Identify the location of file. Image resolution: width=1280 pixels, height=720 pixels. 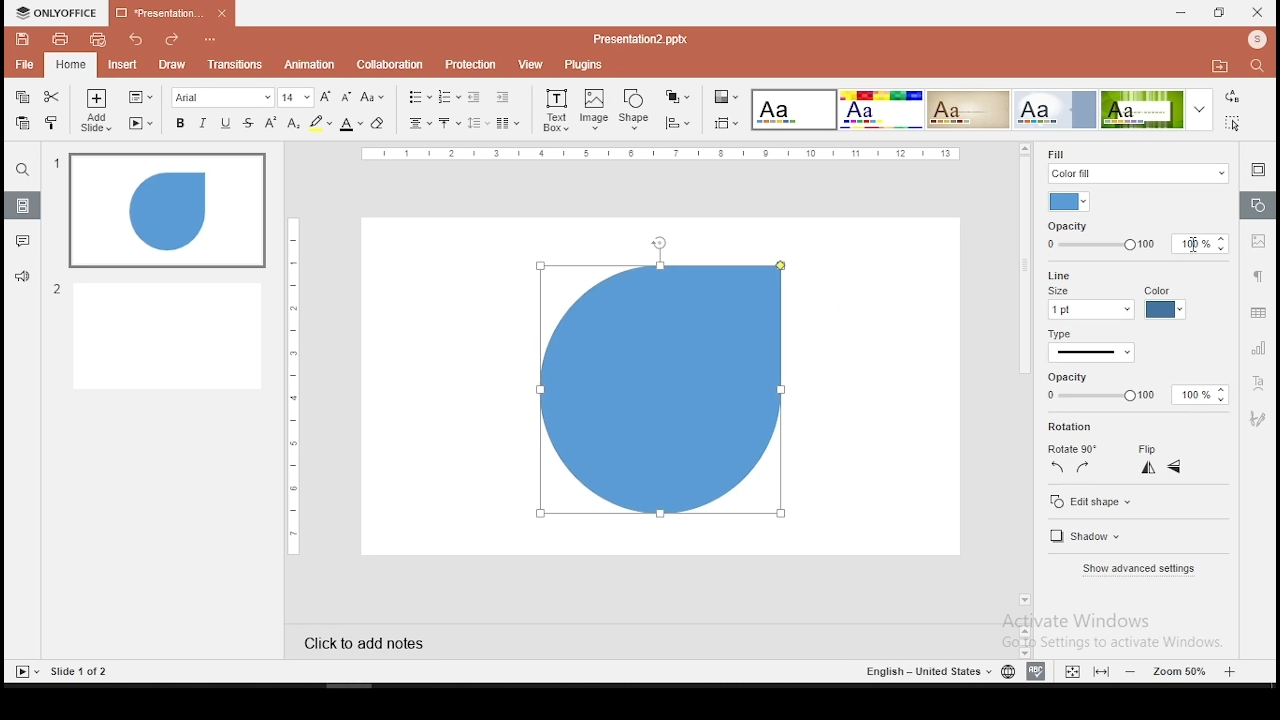
(24, 64).